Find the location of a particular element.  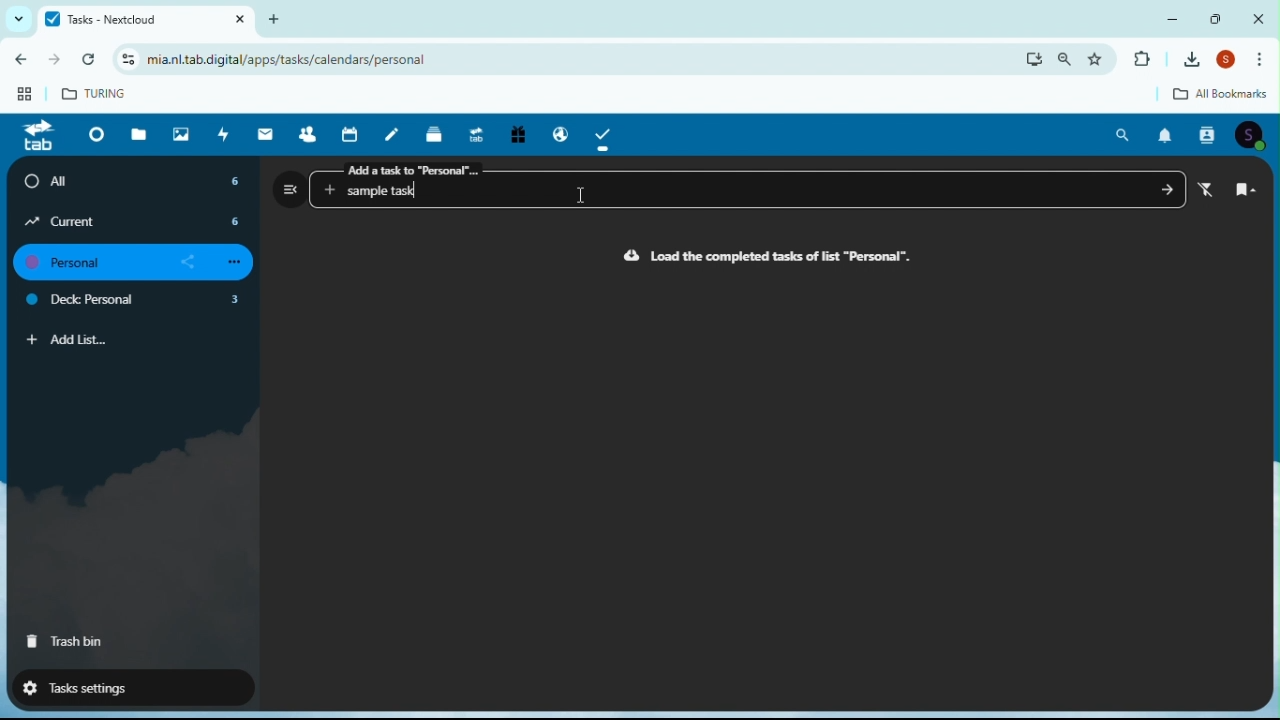

Calendar is located at coordinates (353, 134).